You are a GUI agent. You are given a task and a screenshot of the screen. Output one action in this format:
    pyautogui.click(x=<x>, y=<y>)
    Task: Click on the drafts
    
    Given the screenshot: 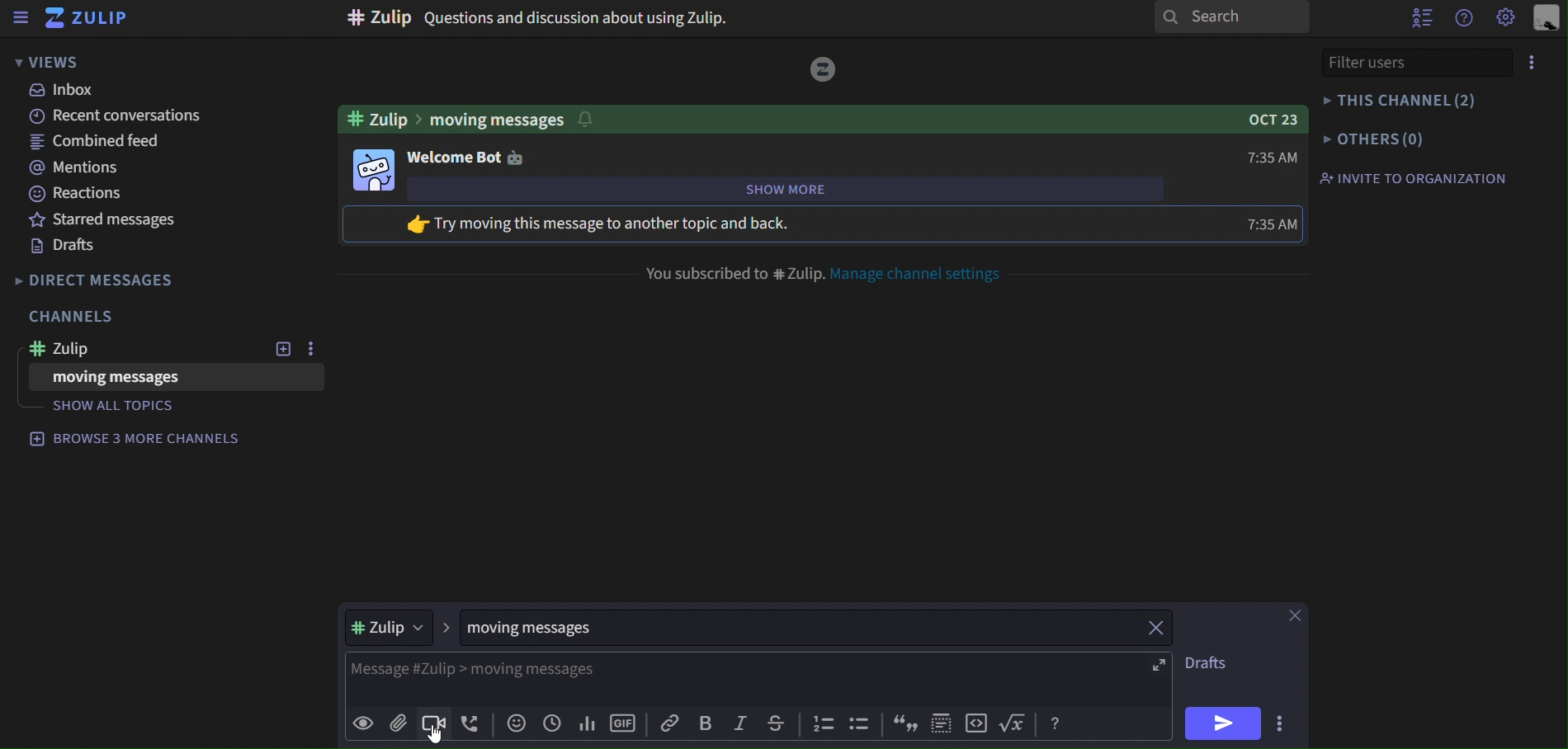 What is the action you would take?
    pyautogui.click(x=1216, y=662)
    